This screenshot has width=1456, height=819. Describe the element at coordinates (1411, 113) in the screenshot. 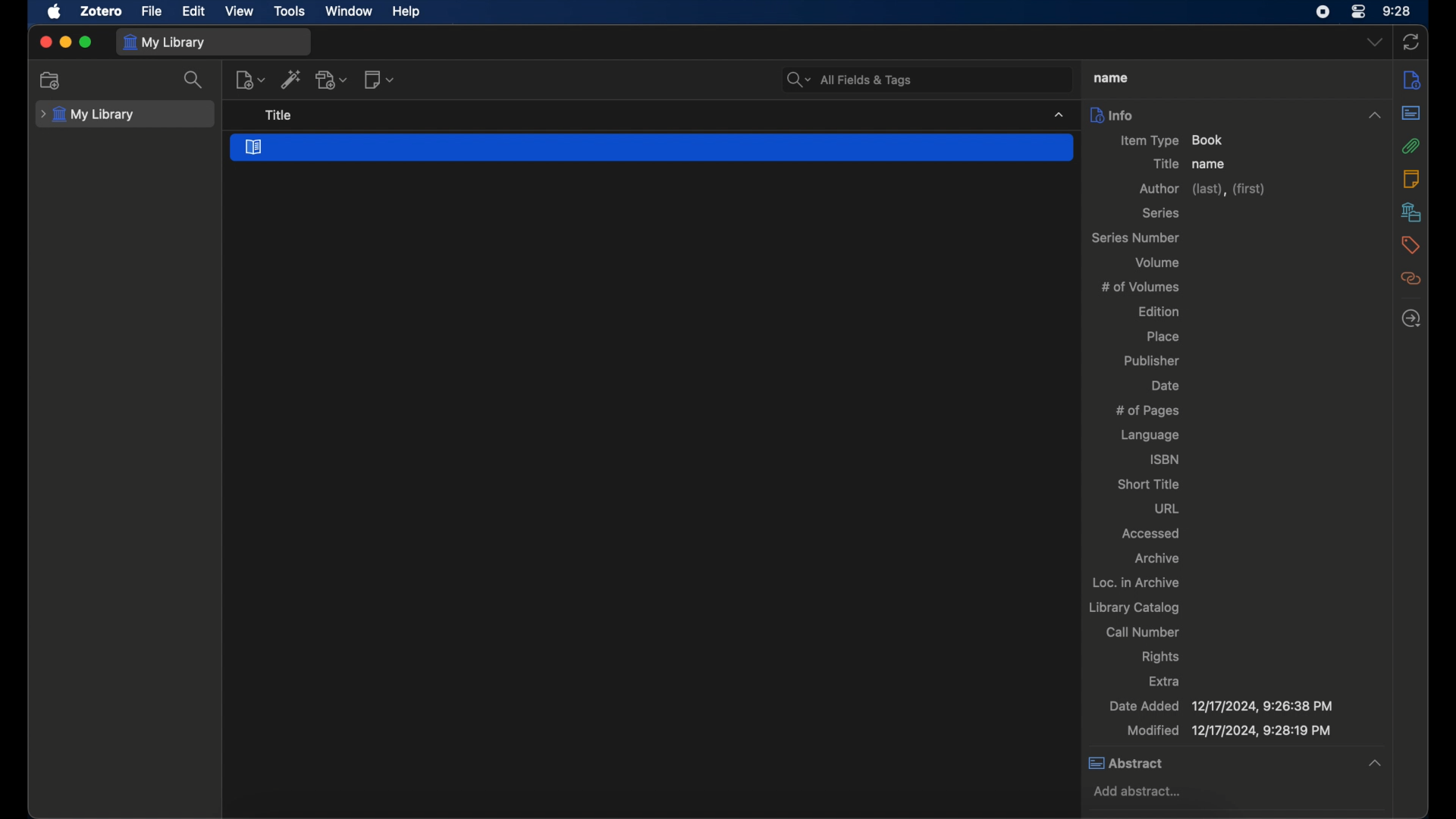

I see `abstract` at that location.